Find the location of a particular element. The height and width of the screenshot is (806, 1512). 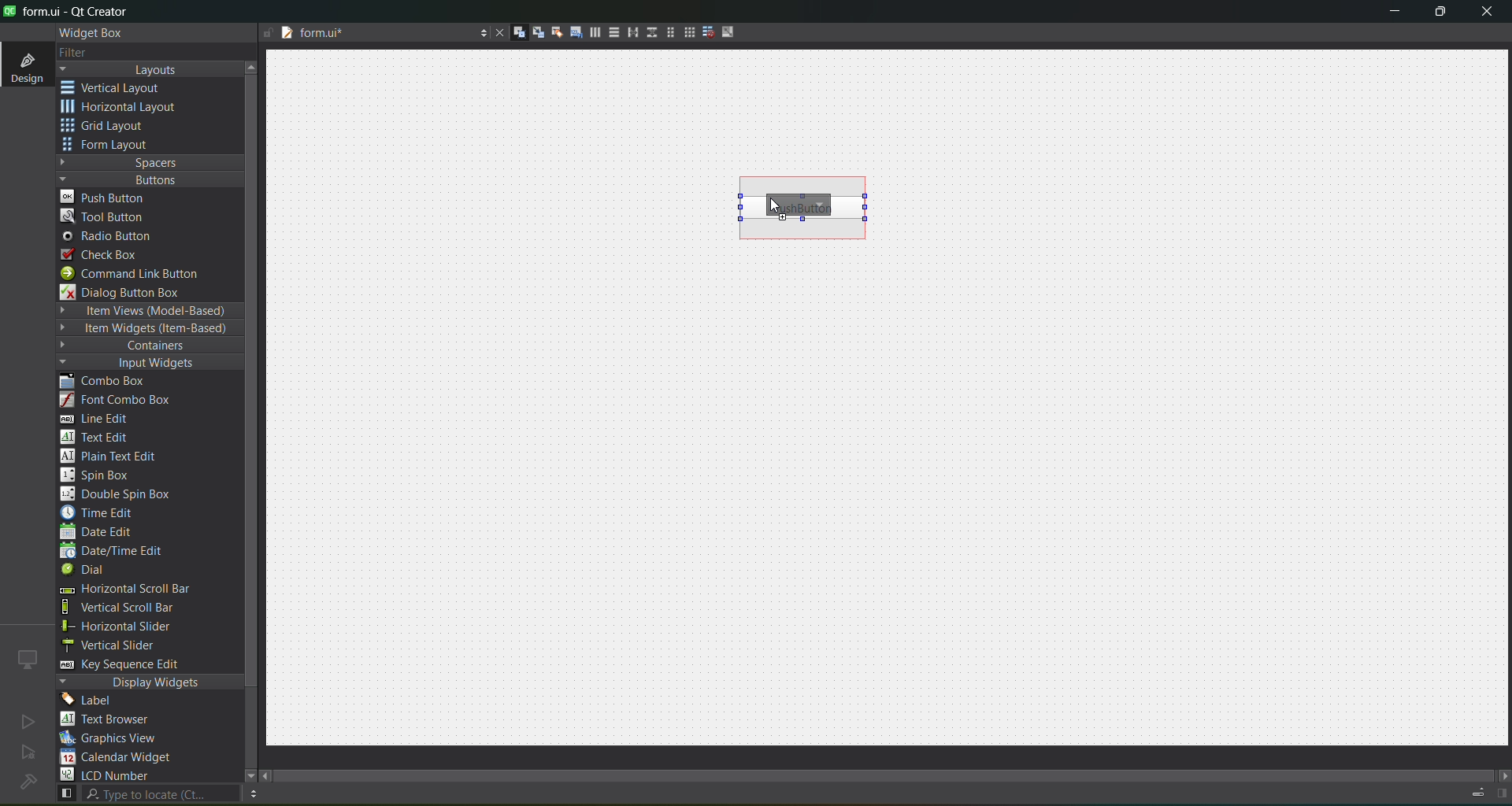

vertical slider is located at coordinates (124, 645).